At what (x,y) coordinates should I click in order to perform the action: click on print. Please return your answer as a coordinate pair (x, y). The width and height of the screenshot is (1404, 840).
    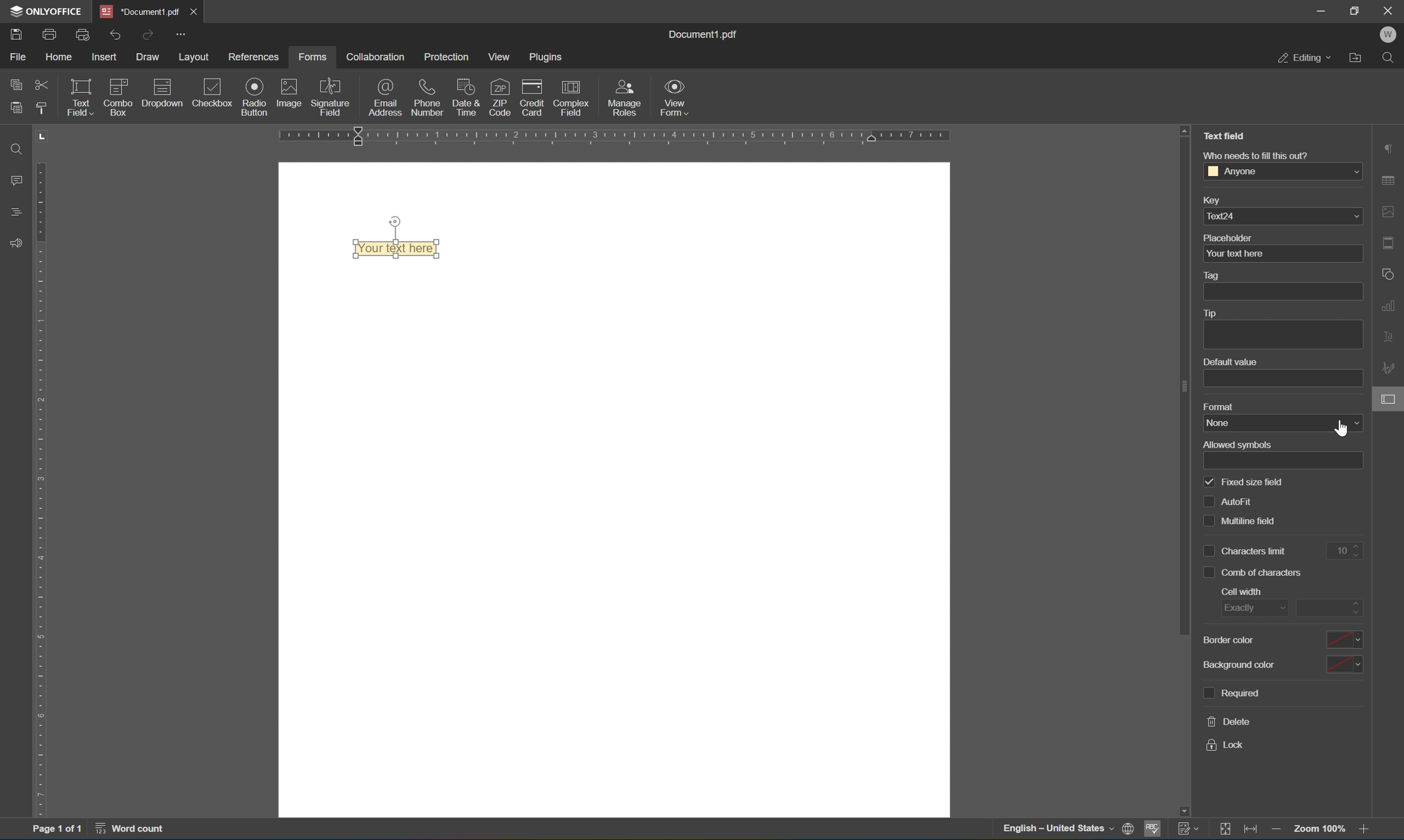
    Looking at the image, I should click on (50, 36).